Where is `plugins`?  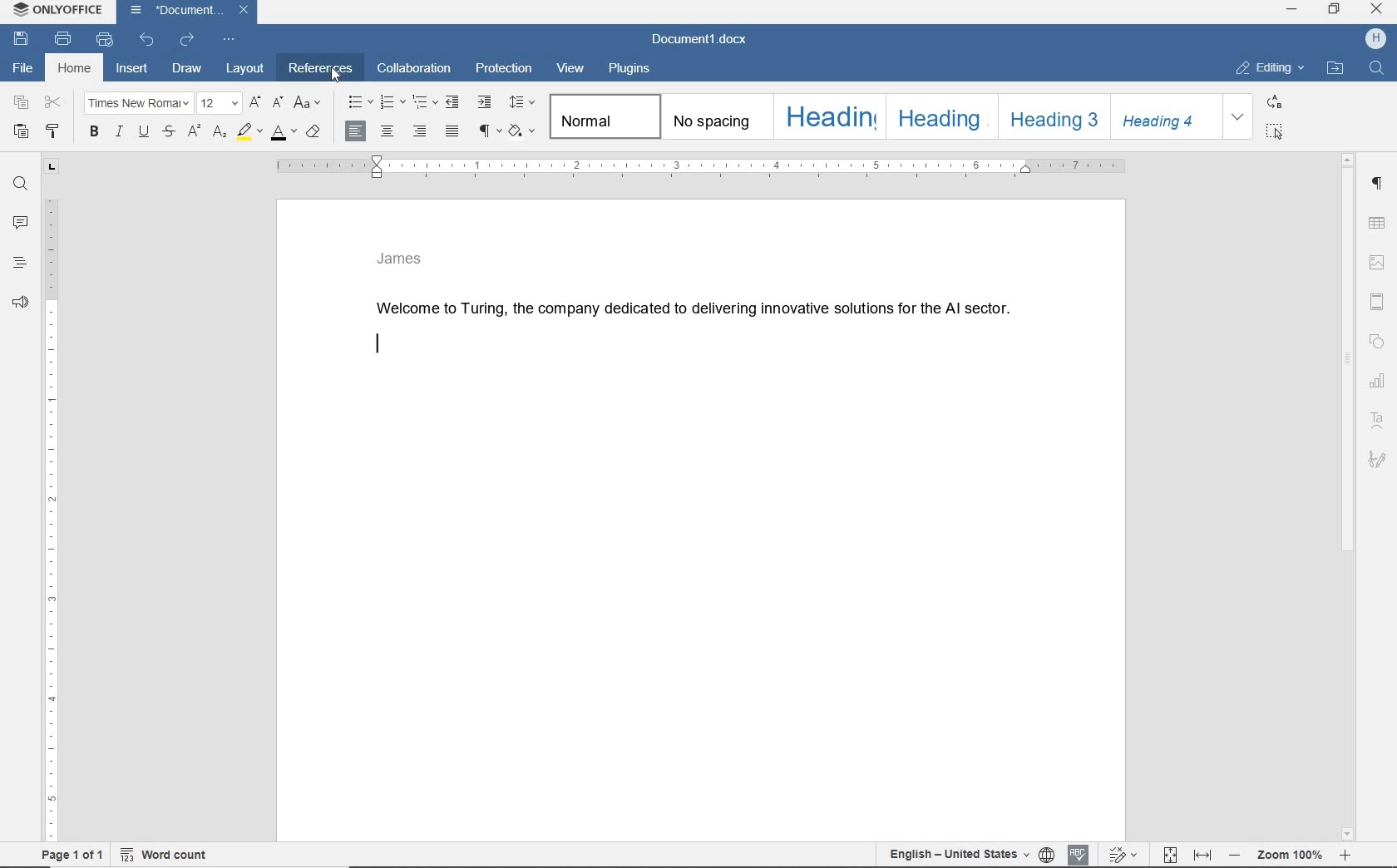
plugins is located at coordinates (631, 72).